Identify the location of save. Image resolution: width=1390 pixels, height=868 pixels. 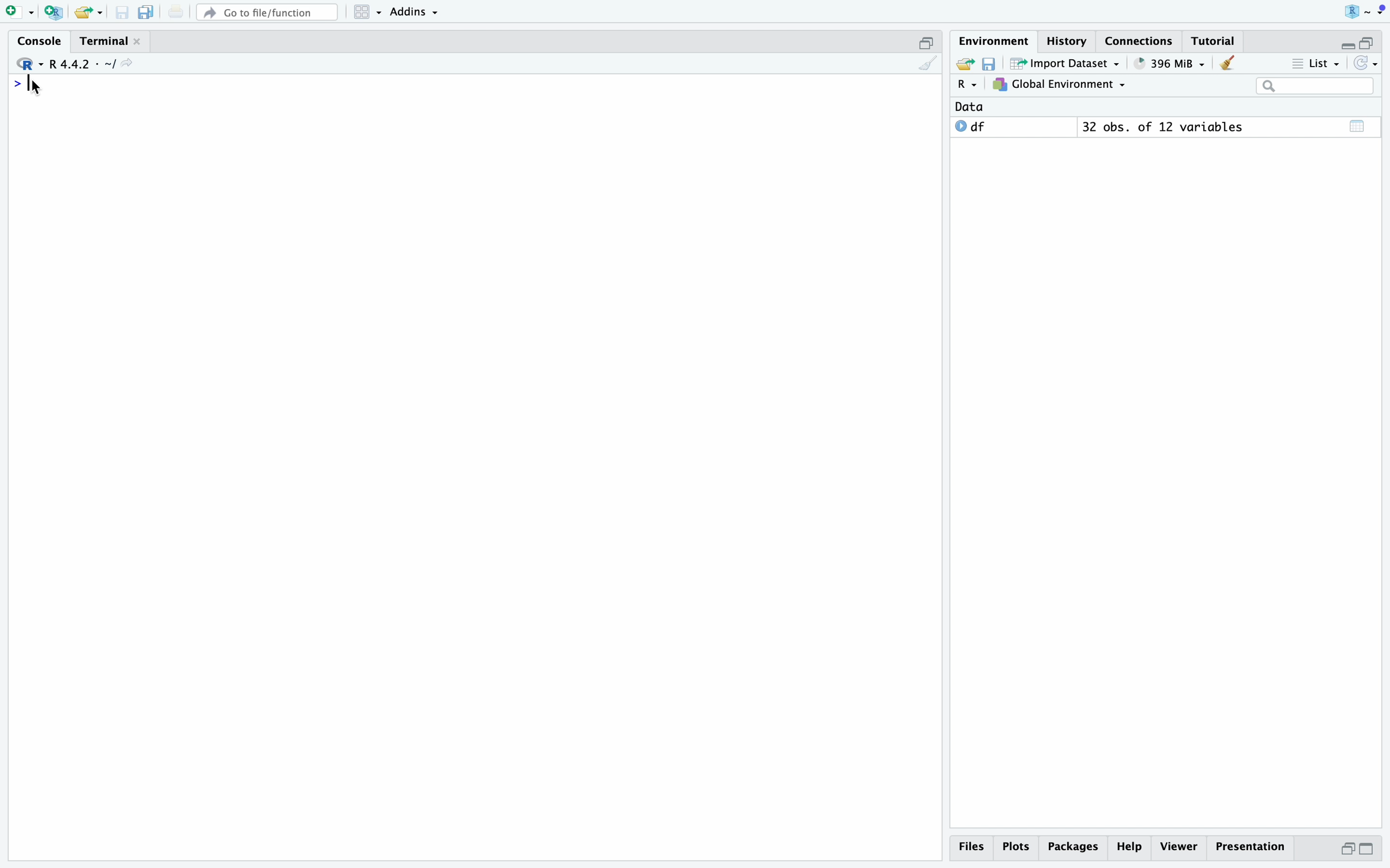
(122, 13).